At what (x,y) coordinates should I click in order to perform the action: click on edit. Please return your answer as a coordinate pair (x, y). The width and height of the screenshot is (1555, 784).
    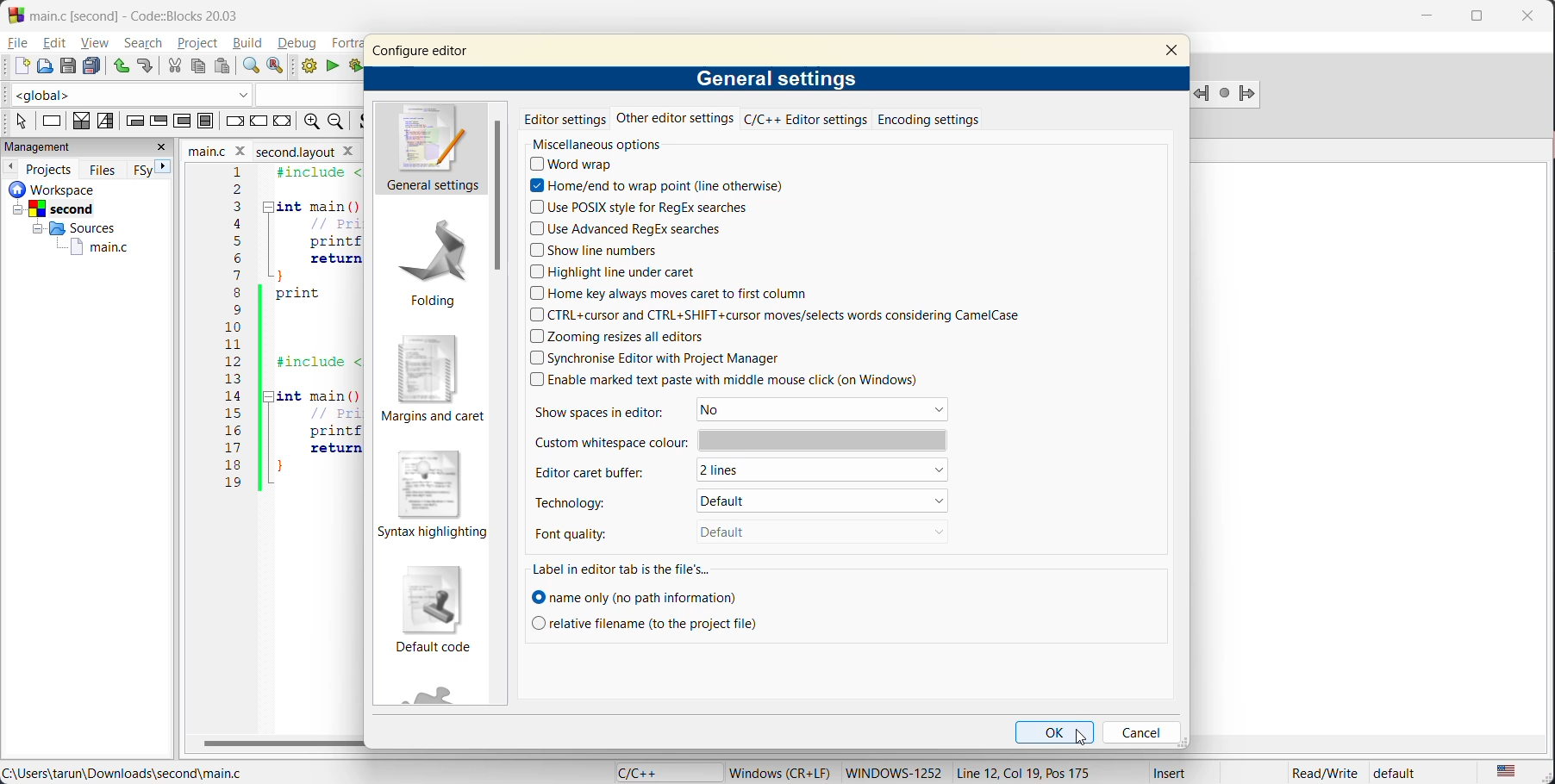
    Looking at the image, I should click on (54, 44).